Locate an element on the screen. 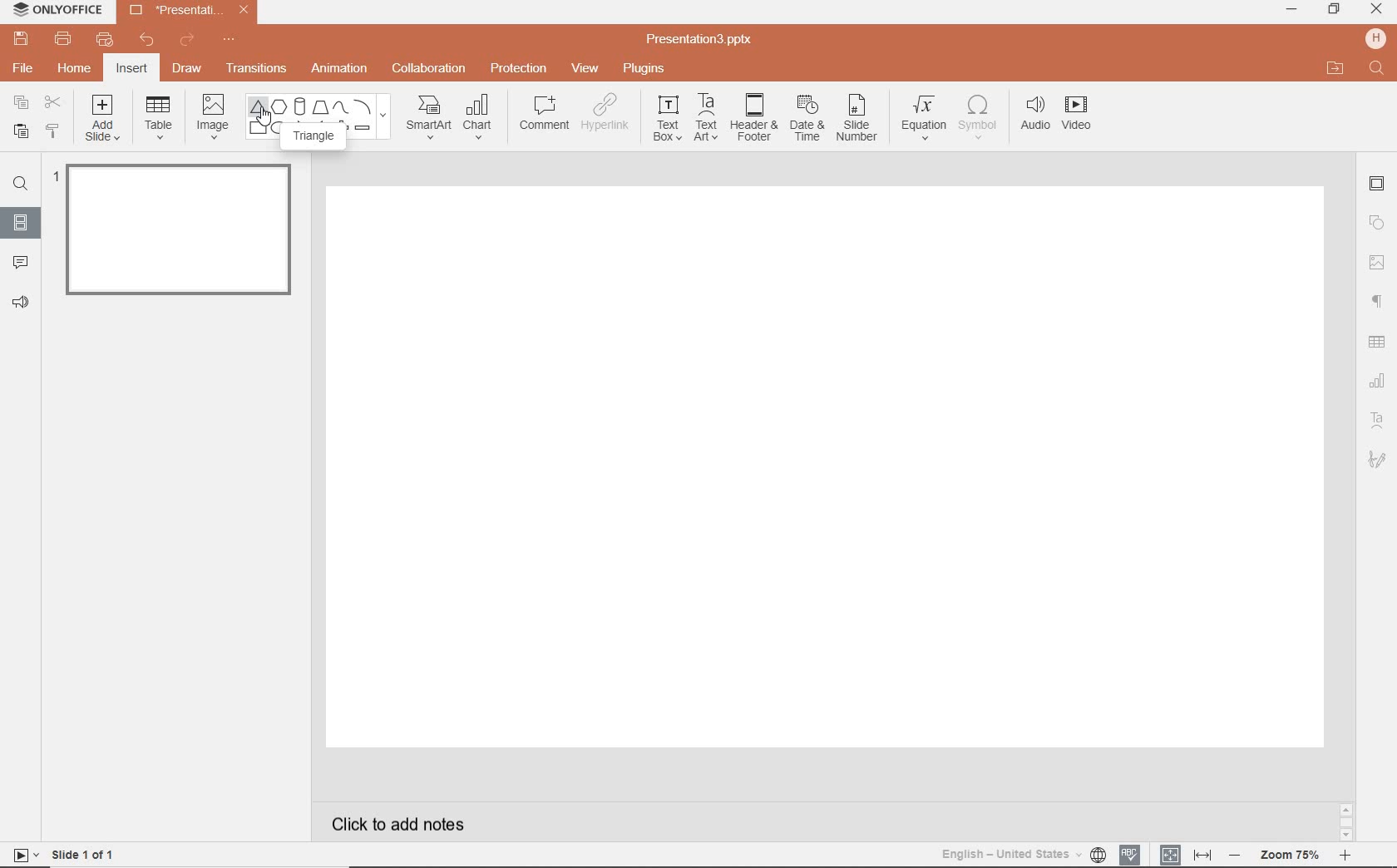  COMMENTS is located at coordinates (20, 261).